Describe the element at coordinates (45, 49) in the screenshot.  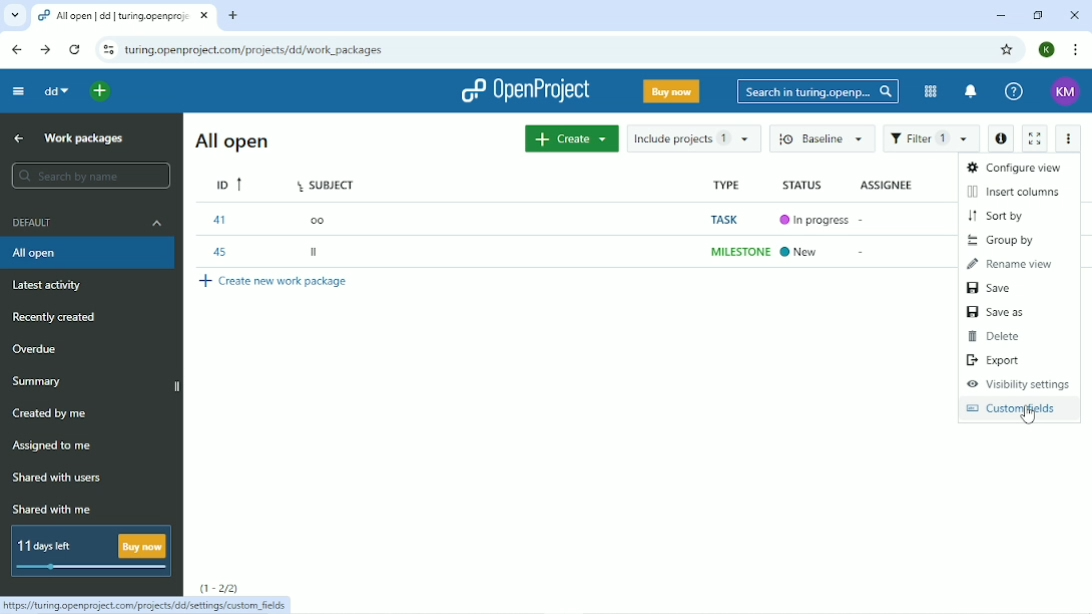
I see `Forward` at that location.